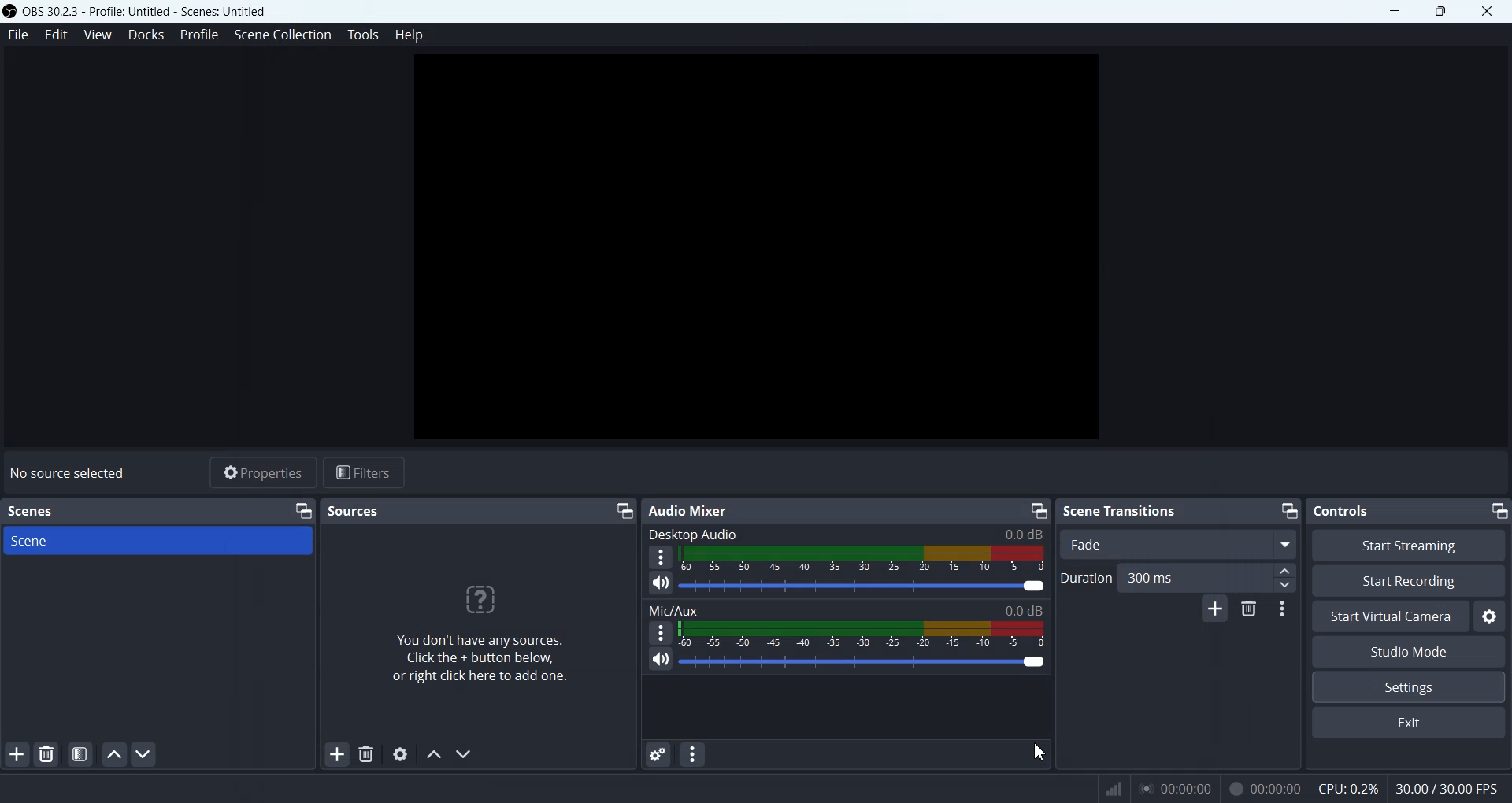  I want to click on 30.00 / 30.00 FPS, so click(1451, 788).